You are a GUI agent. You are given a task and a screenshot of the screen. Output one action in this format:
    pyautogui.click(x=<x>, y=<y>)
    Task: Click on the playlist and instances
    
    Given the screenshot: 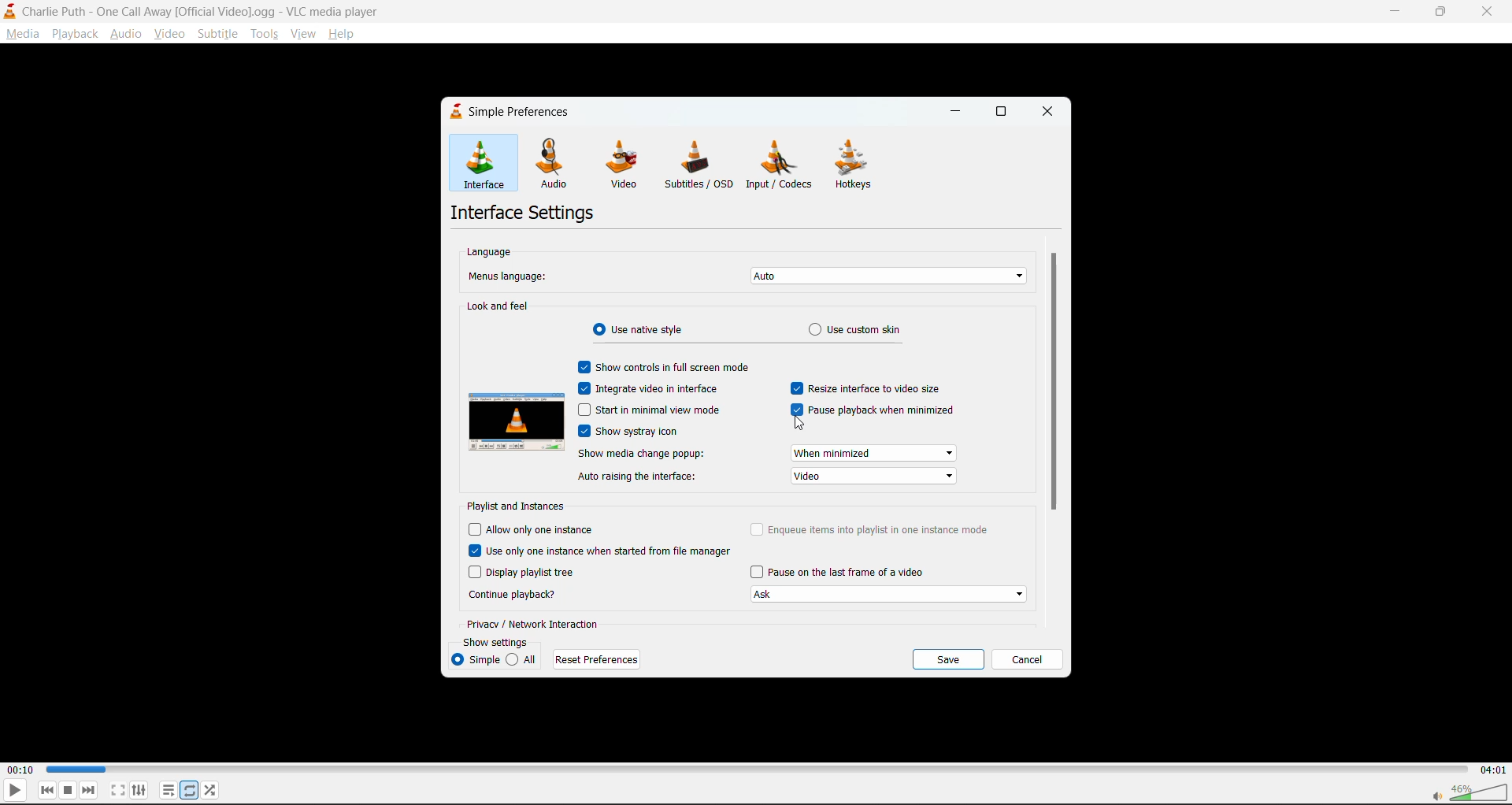 What is the action you would take?
    pyautogui.click(x=524, y=506)
    